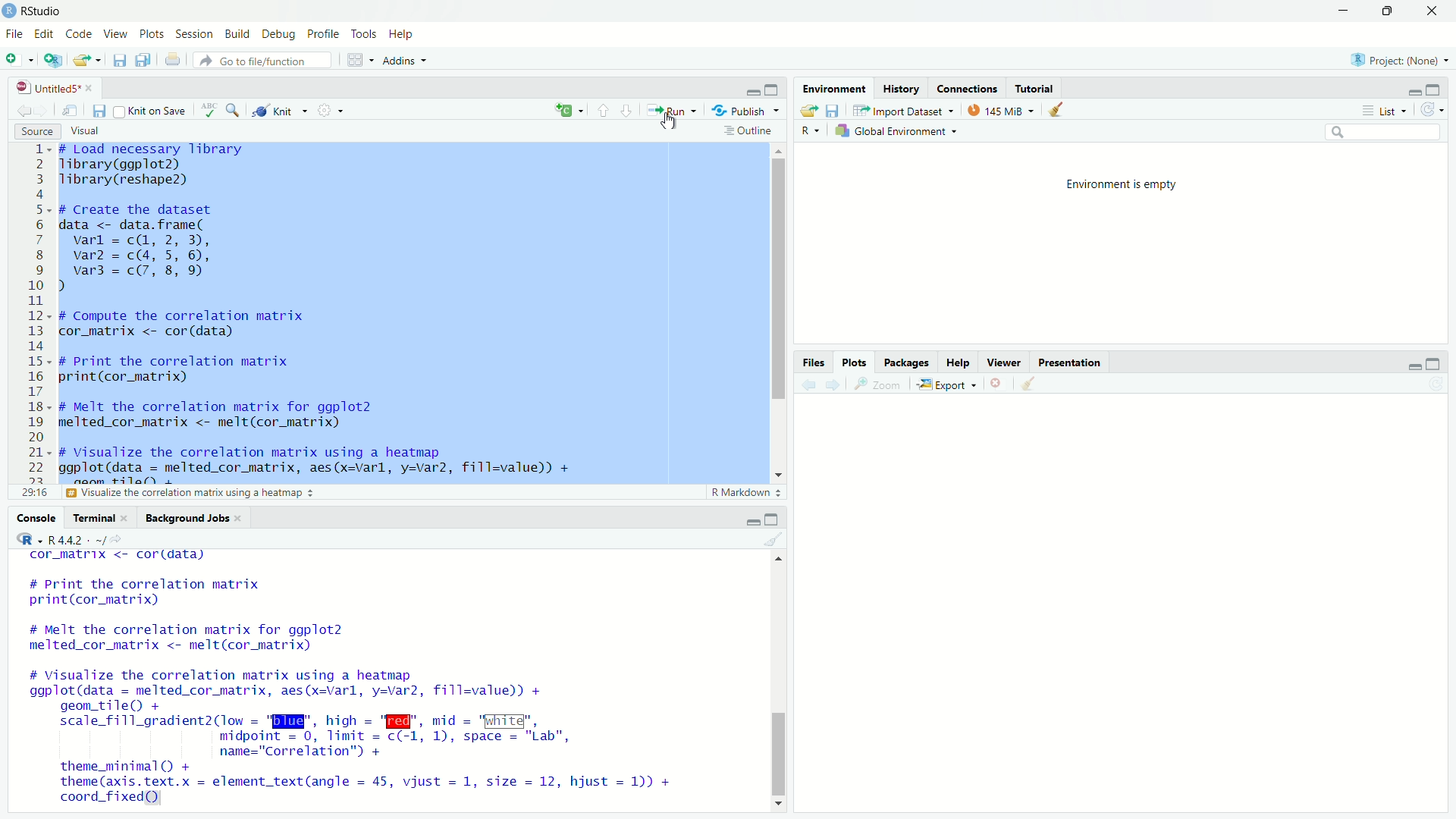 This screenshot has width=1456, height=819. I want to click on background jobs, so click(194, 518).